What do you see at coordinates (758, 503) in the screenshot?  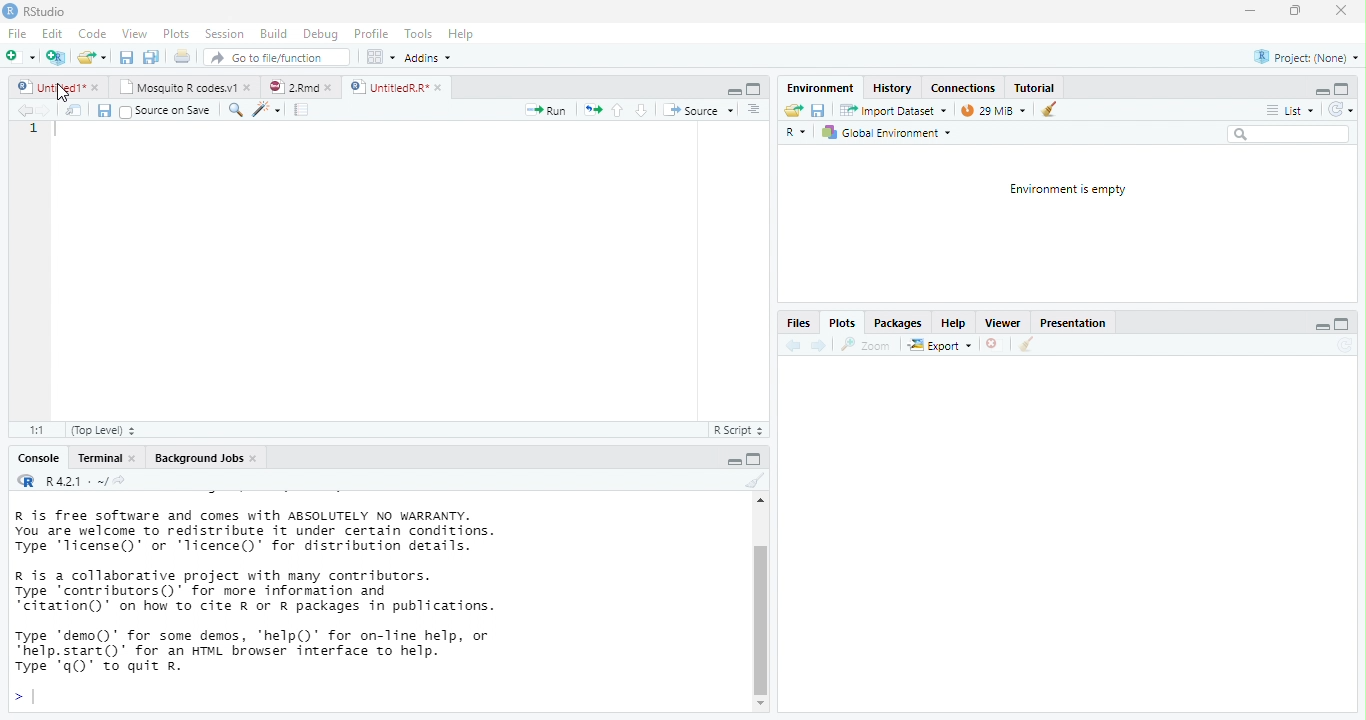 I see `scrollbar up` at bounding box center [758, 503].